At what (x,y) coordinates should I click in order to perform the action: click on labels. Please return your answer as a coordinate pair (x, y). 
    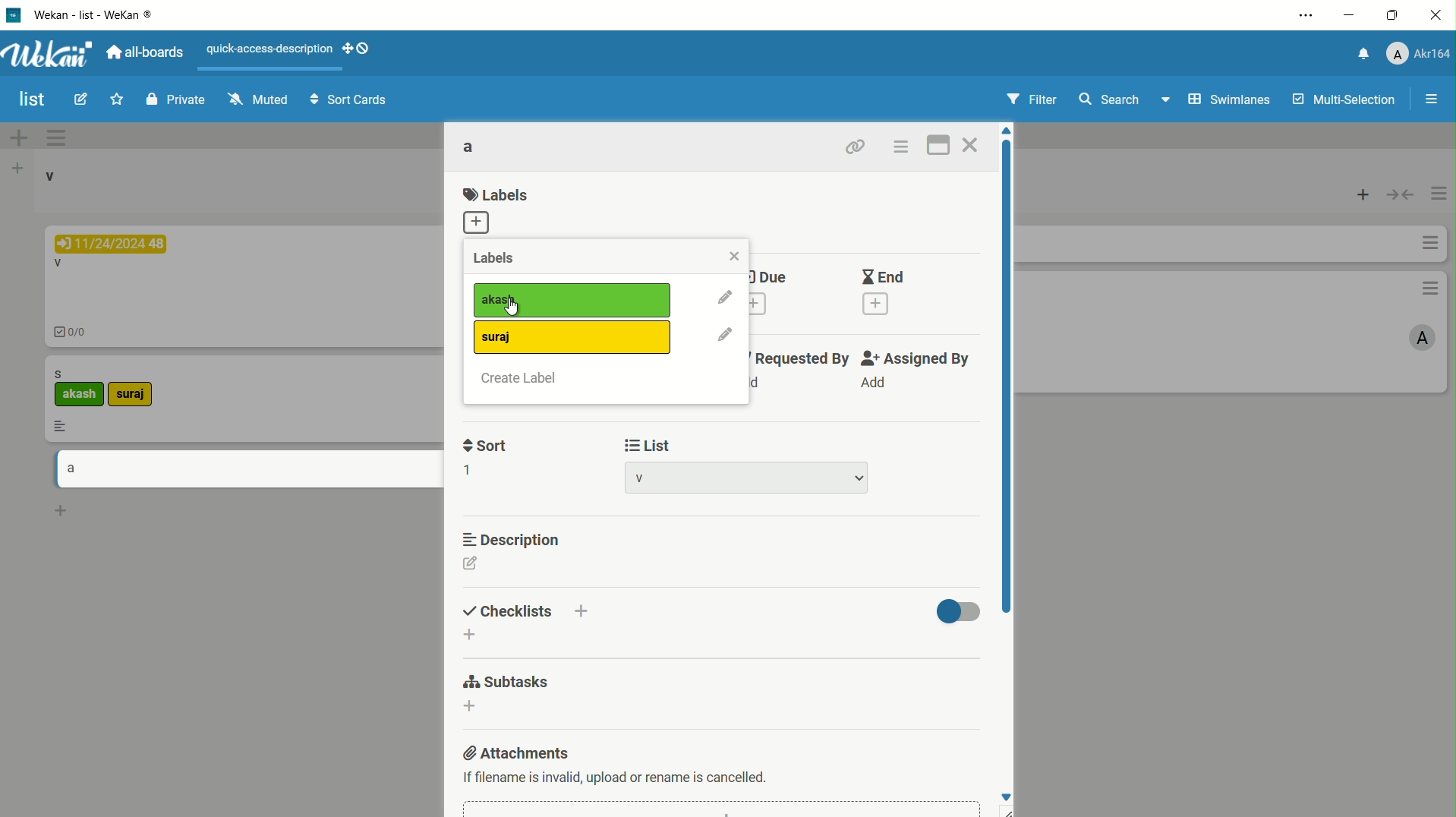
    Looking at the image, I should click on (495, 259).